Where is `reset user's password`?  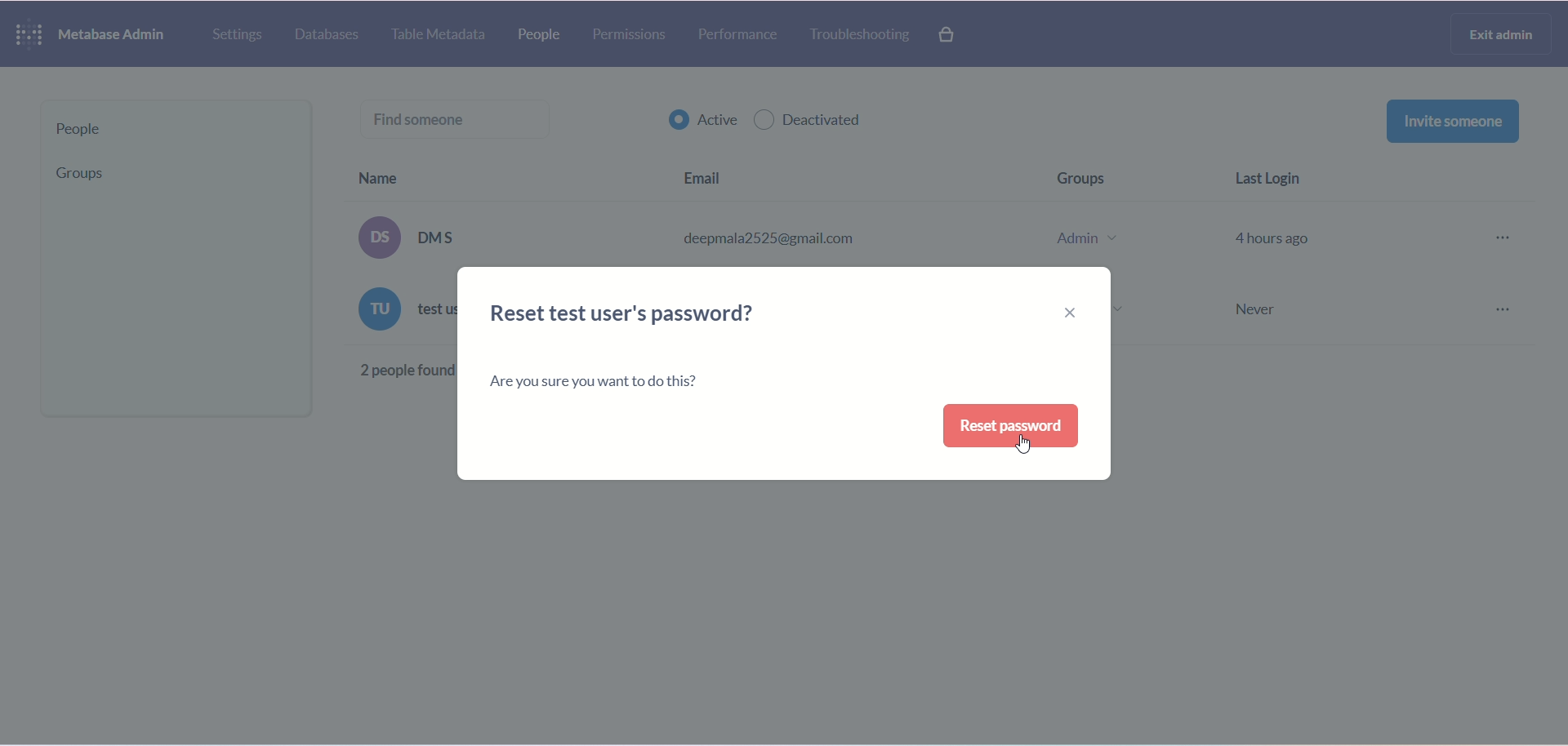
reset user's password is located at coordinates (621, 314).